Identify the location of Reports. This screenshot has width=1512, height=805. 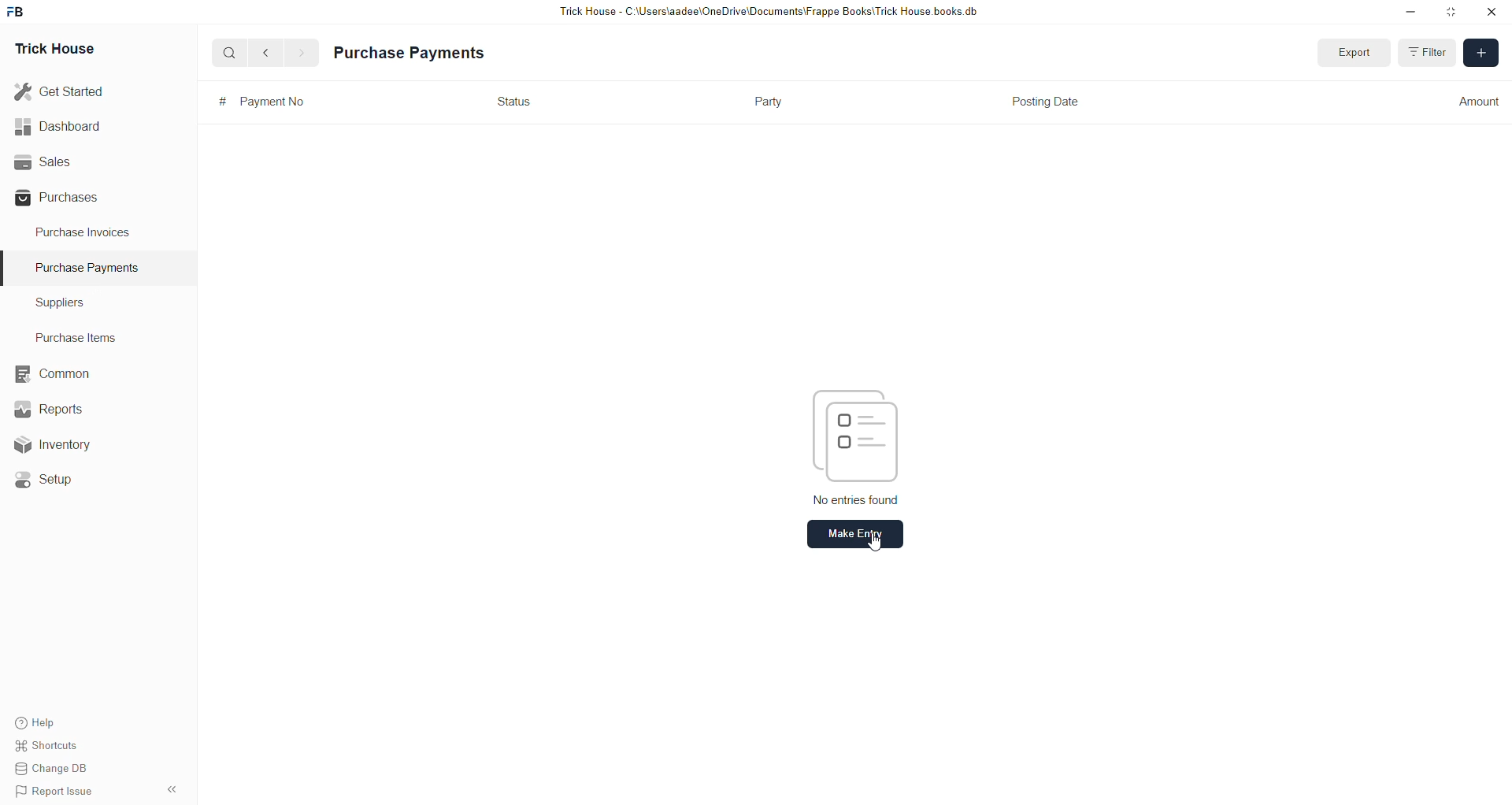
(50, 408).